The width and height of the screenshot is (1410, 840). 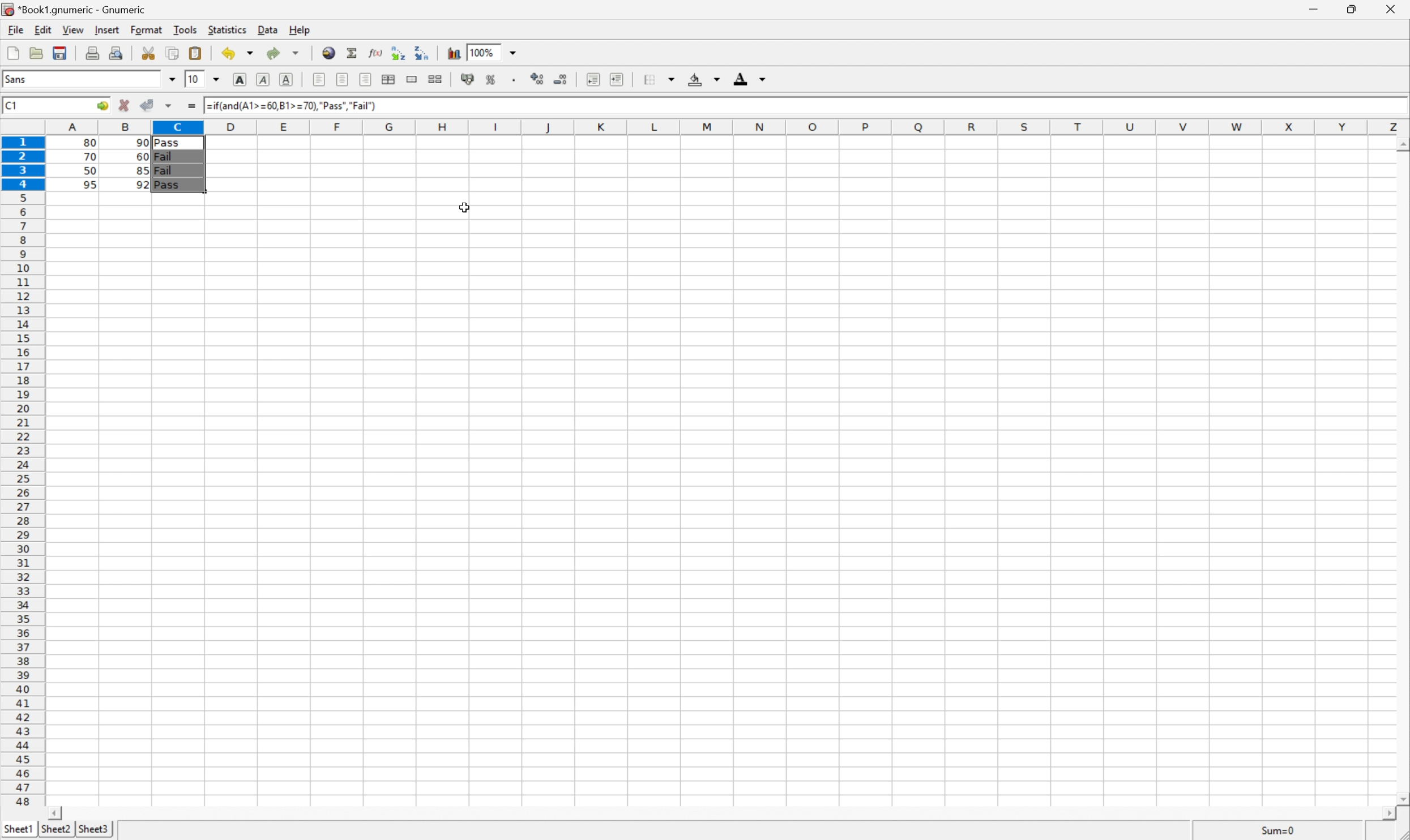 I want to click on Insert hyperlink, so click(x=329, y=51).